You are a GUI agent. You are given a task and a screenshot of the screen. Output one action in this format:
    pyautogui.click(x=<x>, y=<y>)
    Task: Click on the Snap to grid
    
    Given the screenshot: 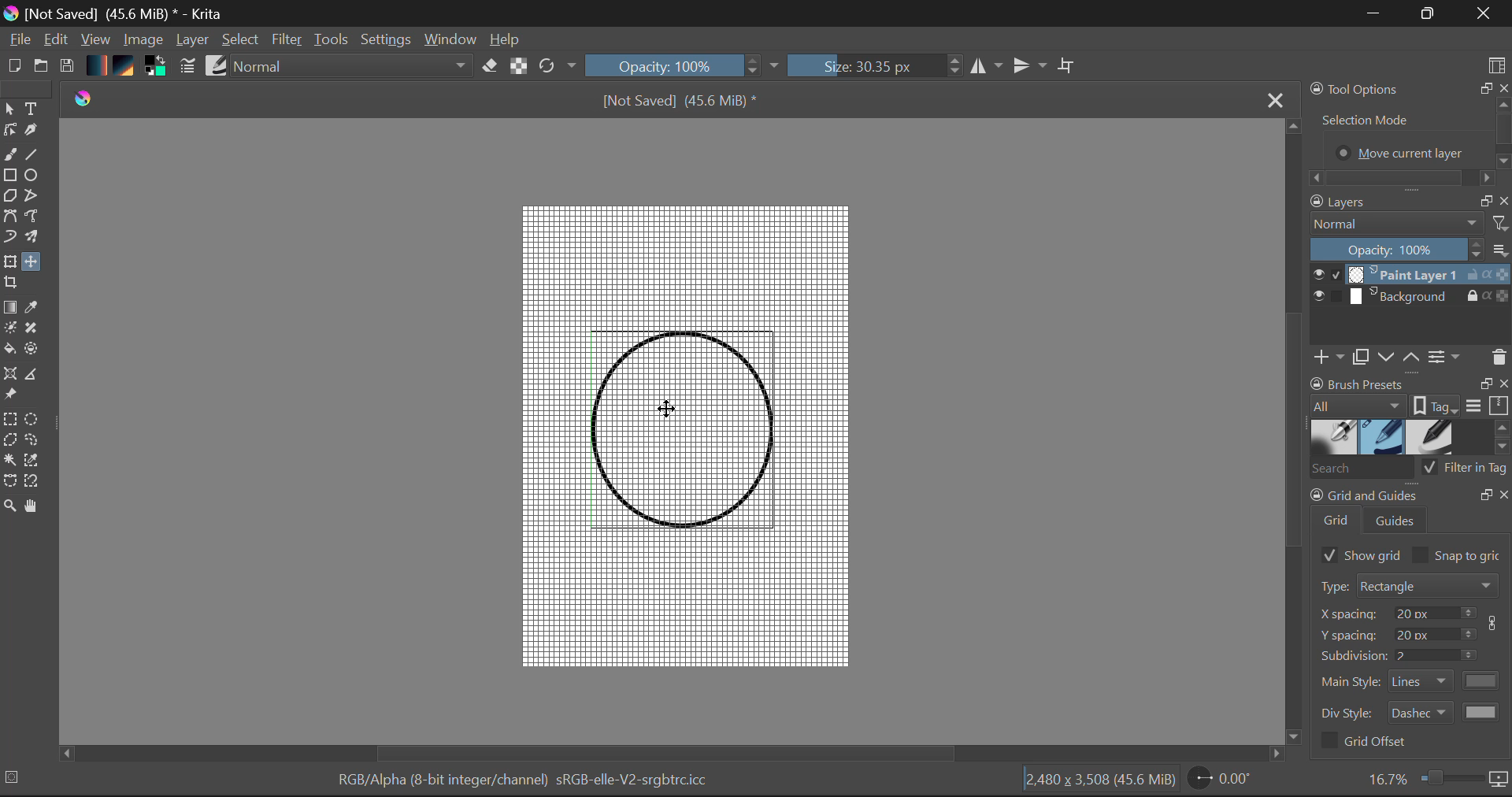 What is the action you would take?
    pyautogui.click(x=1460, y=555)
    